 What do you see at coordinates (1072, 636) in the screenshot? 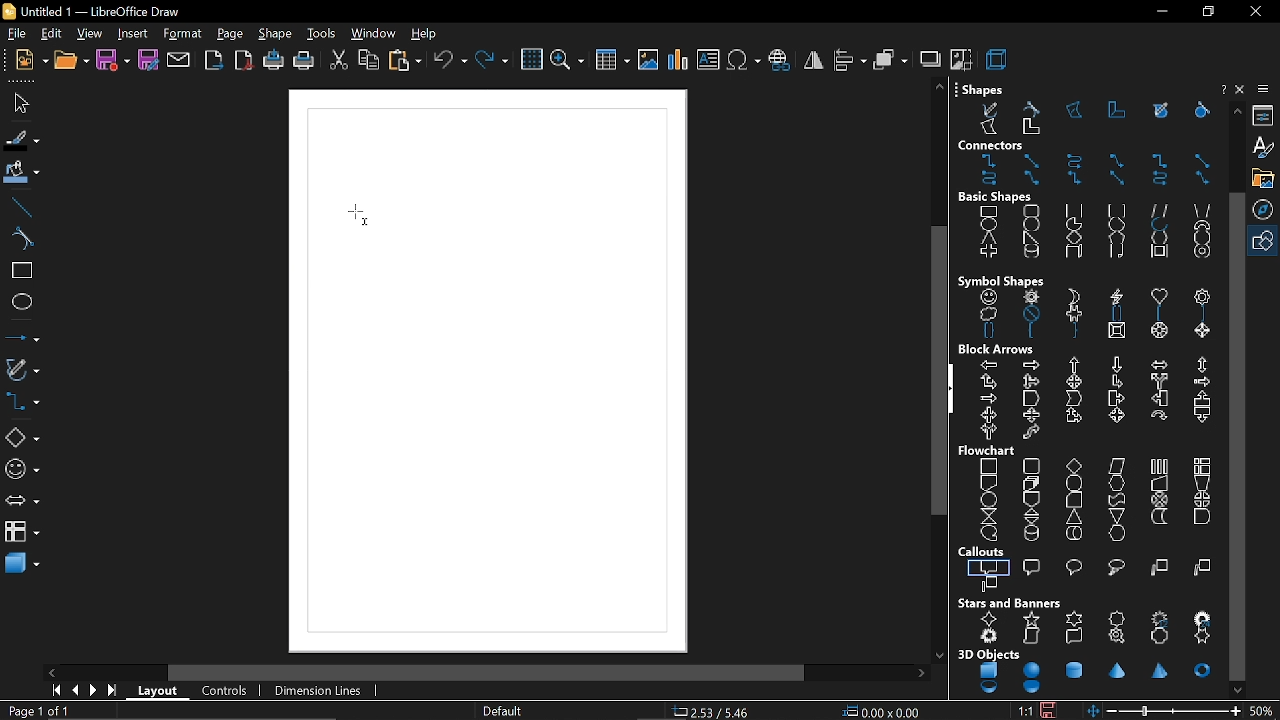
I see `horizontal scroll` at bounding box center [1072, 636].